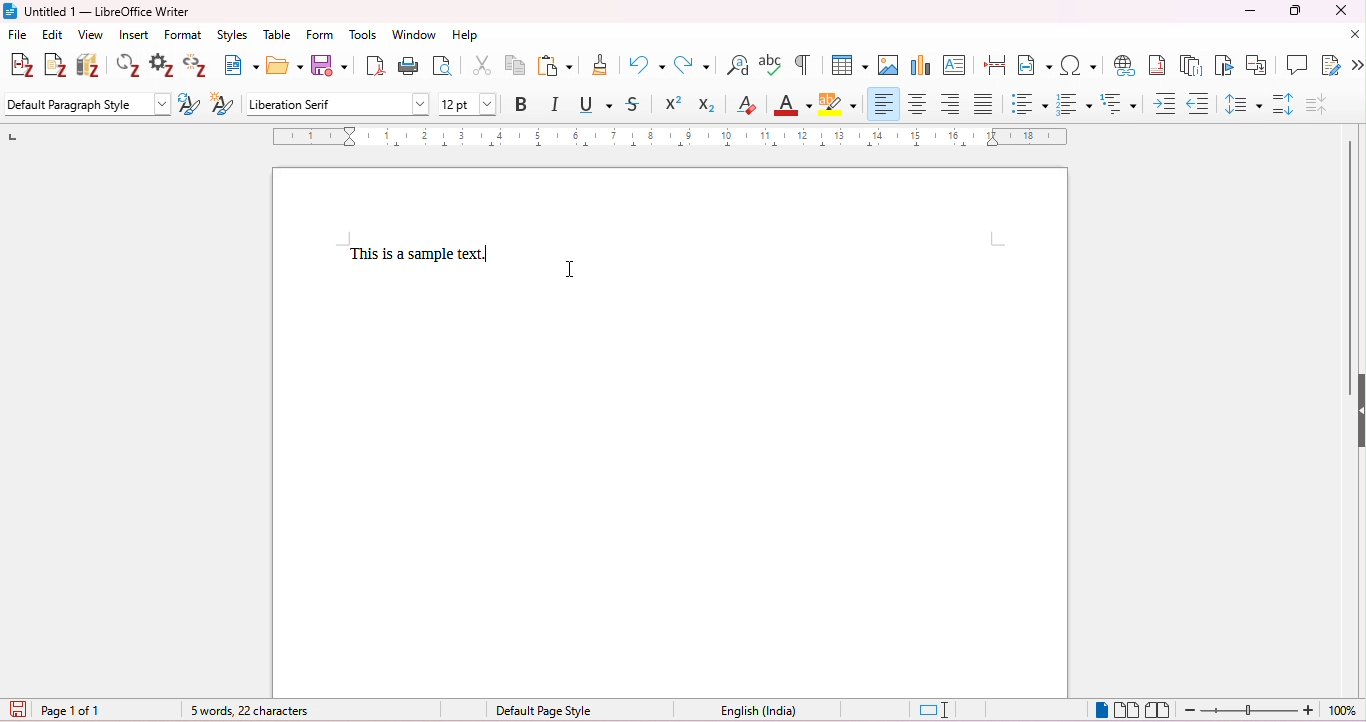 The image size is (1366, 722). I want to click on word count, so click(258, 709).